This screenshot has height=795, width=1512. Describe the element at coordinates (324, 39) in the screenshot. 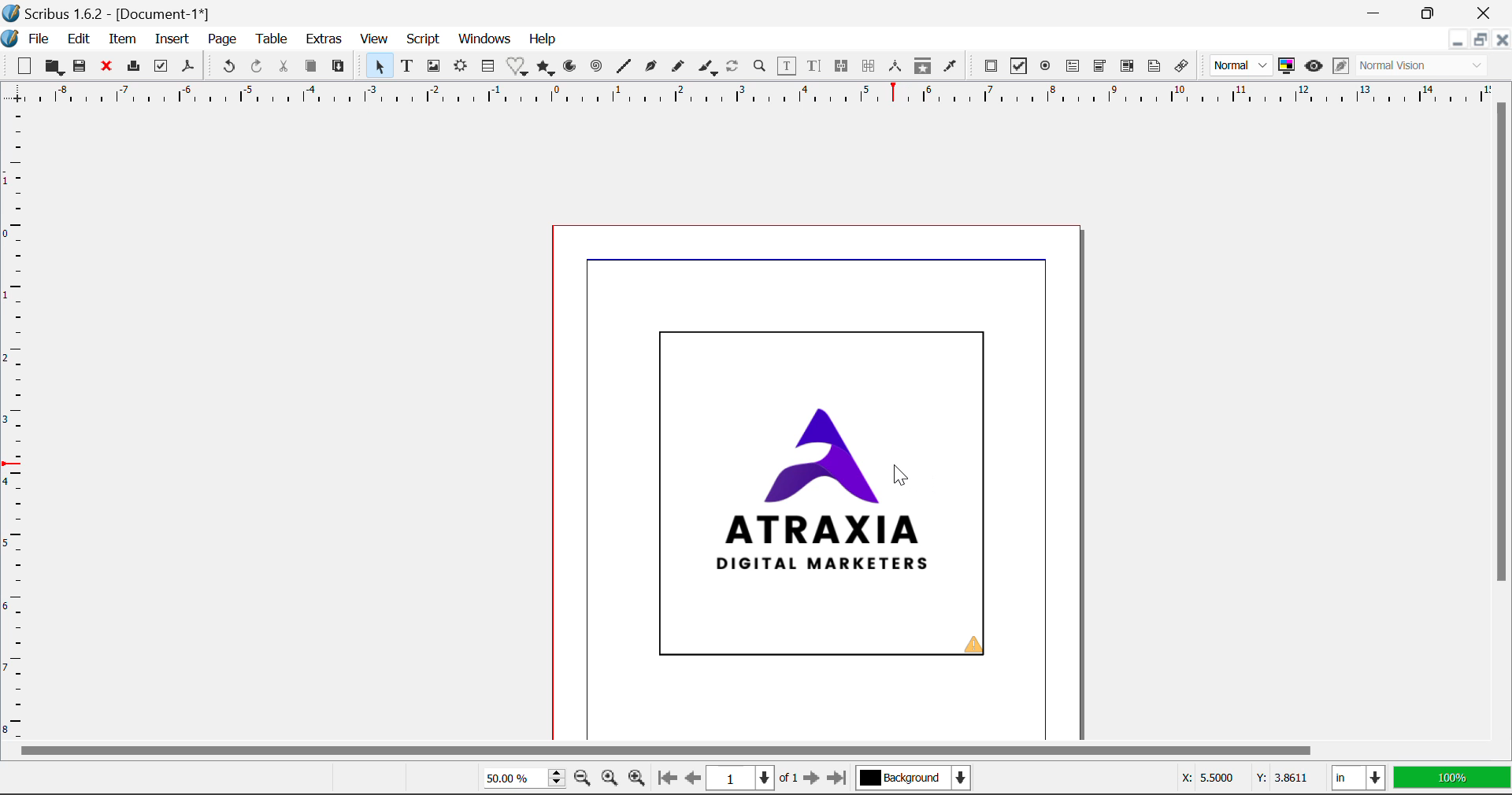

I see `Extras` at that location.